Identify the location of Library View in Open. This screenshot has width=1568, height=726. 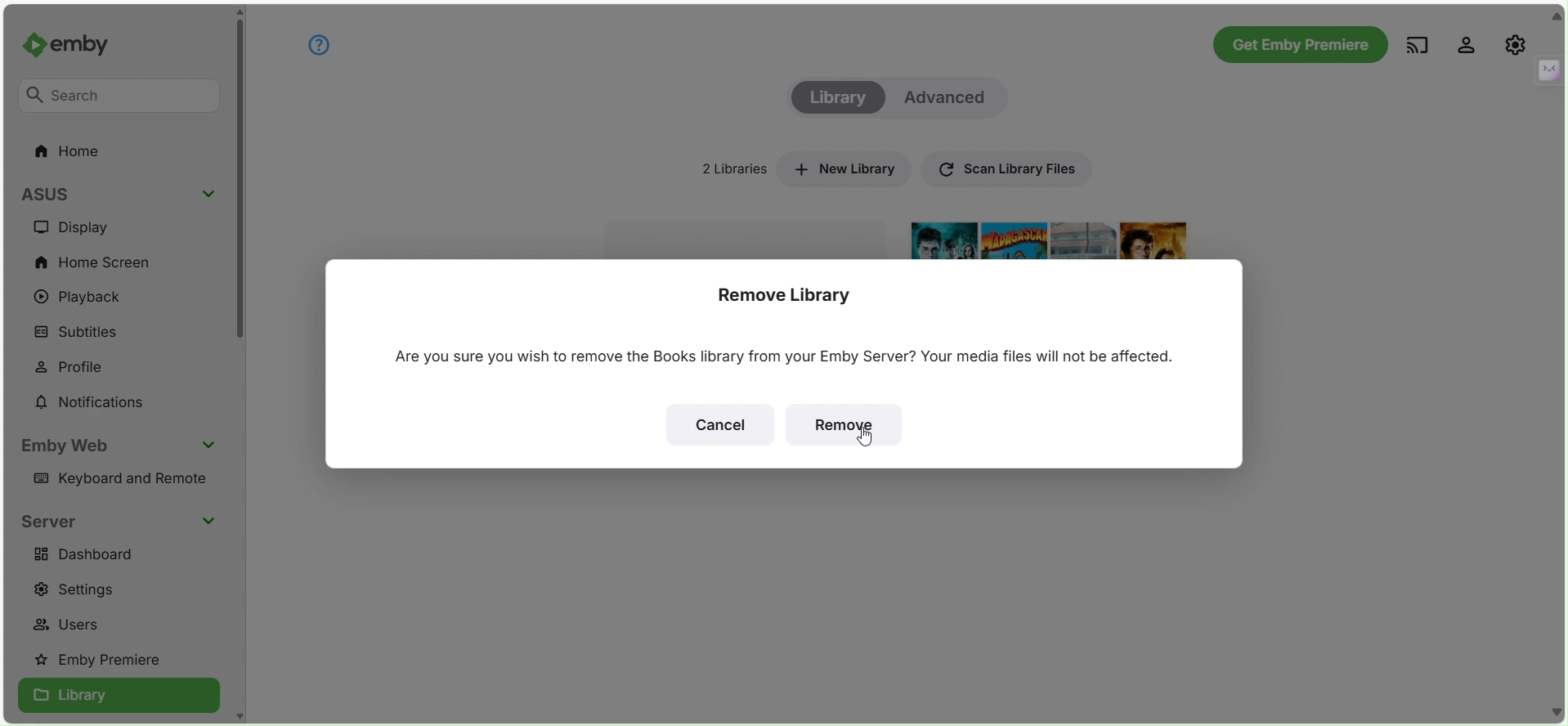
(119, 697).